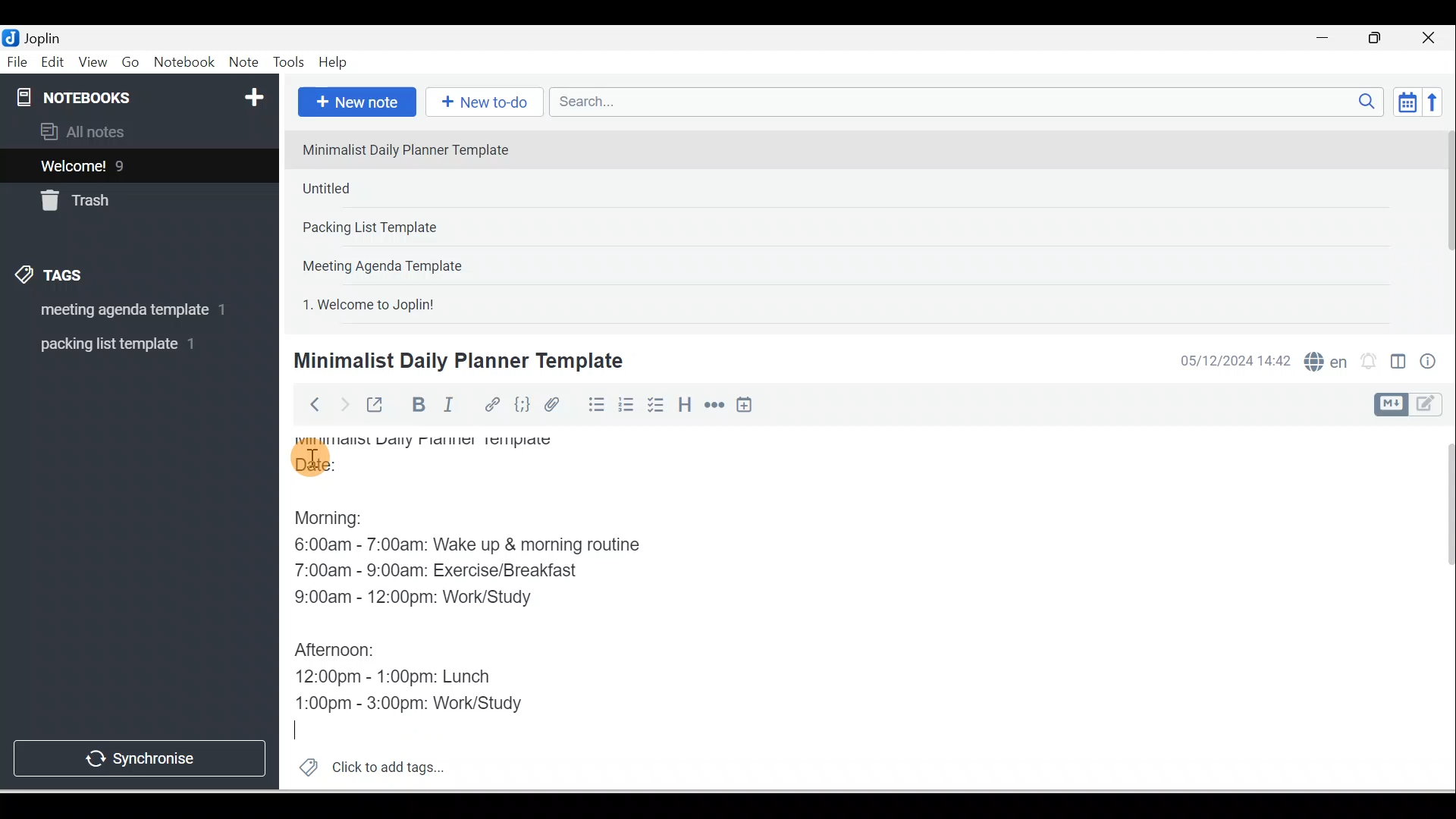 This screenshot has width=1456, height=819. I want to click on Set alarm, so click(1367, 362).